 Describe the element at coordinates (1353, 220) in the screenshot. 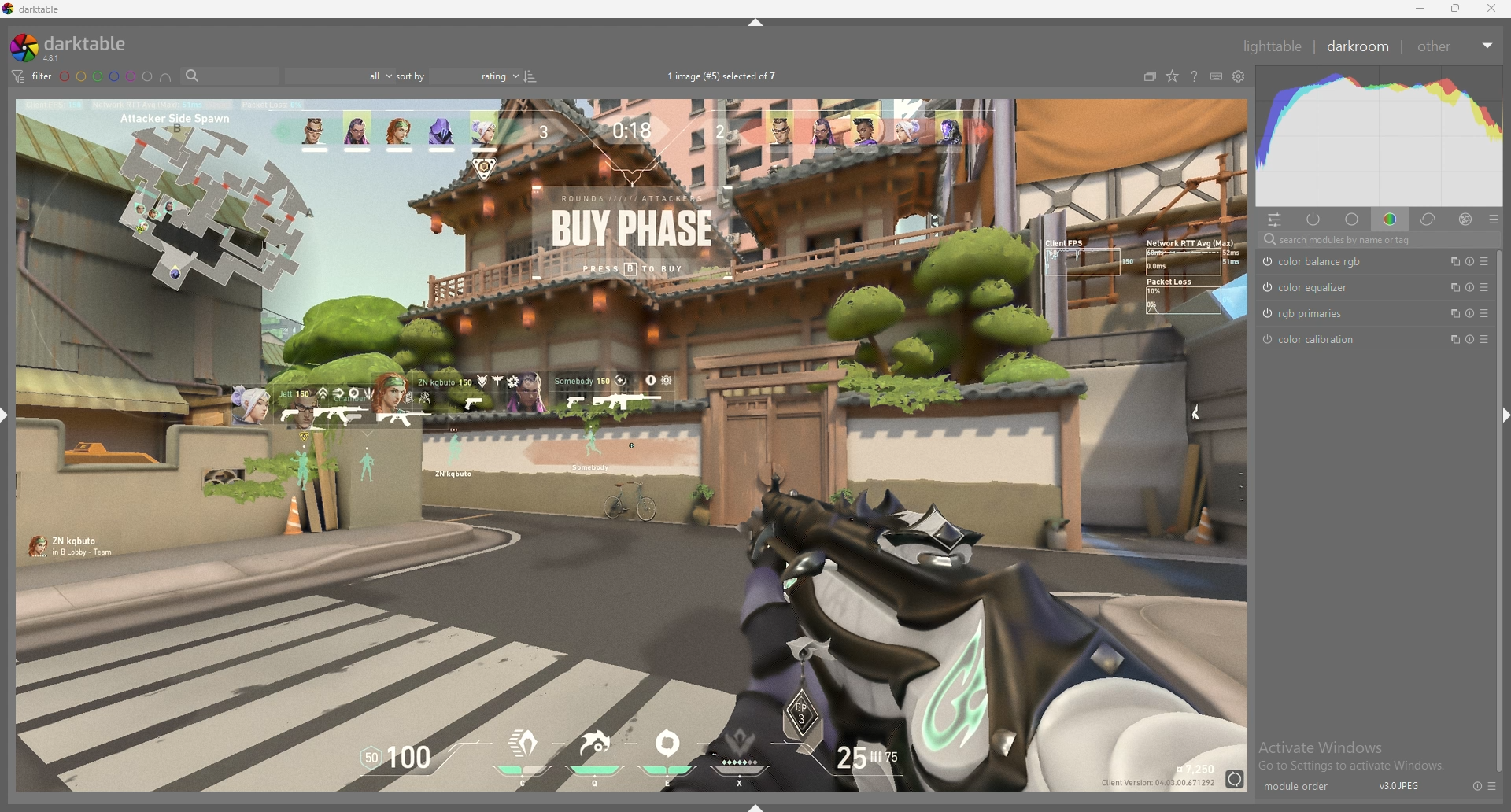

I see `base` at that location.